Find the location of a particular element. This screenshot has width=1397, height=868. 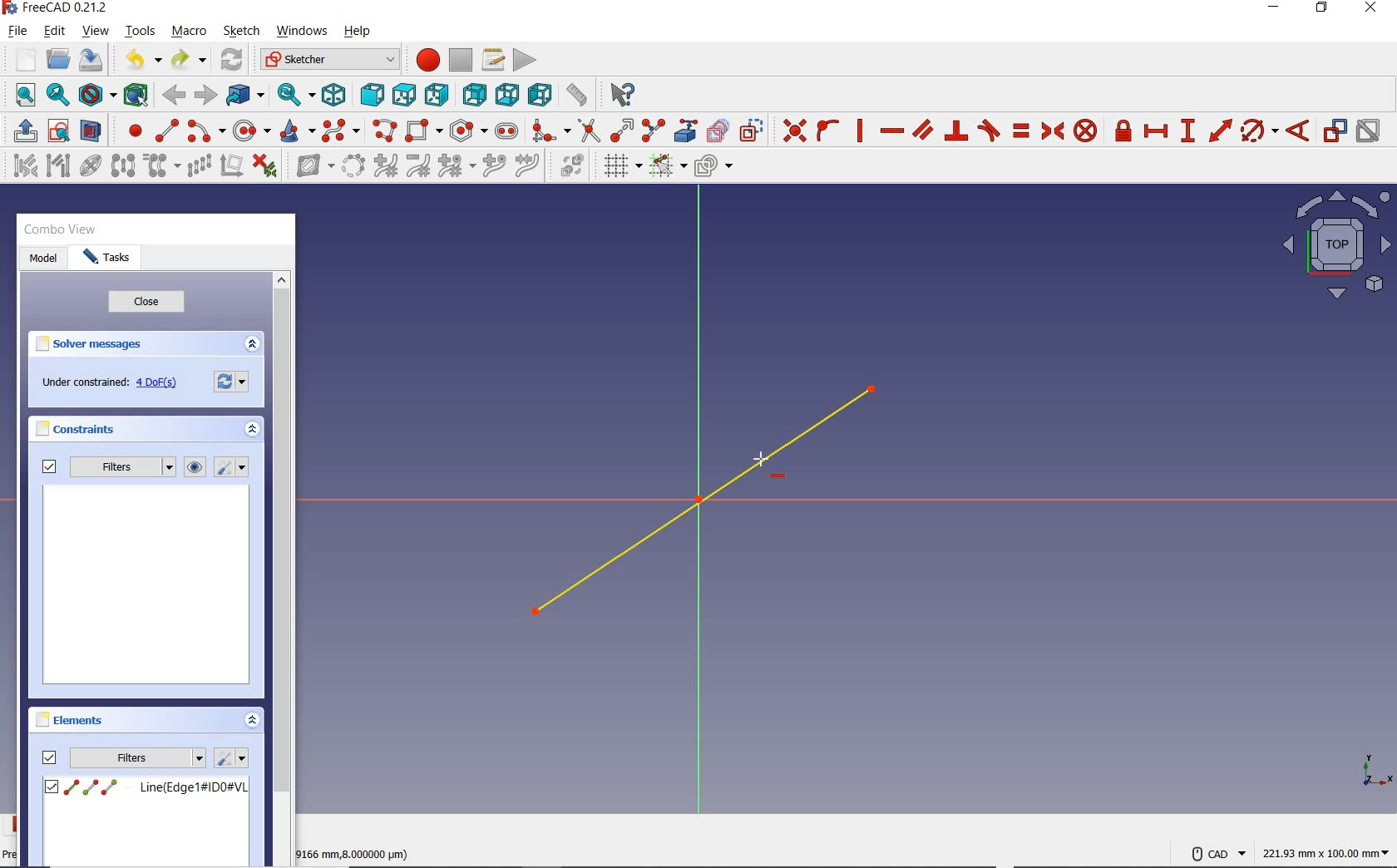

CREATE POLYLINE is located at coordinates (383, 131).